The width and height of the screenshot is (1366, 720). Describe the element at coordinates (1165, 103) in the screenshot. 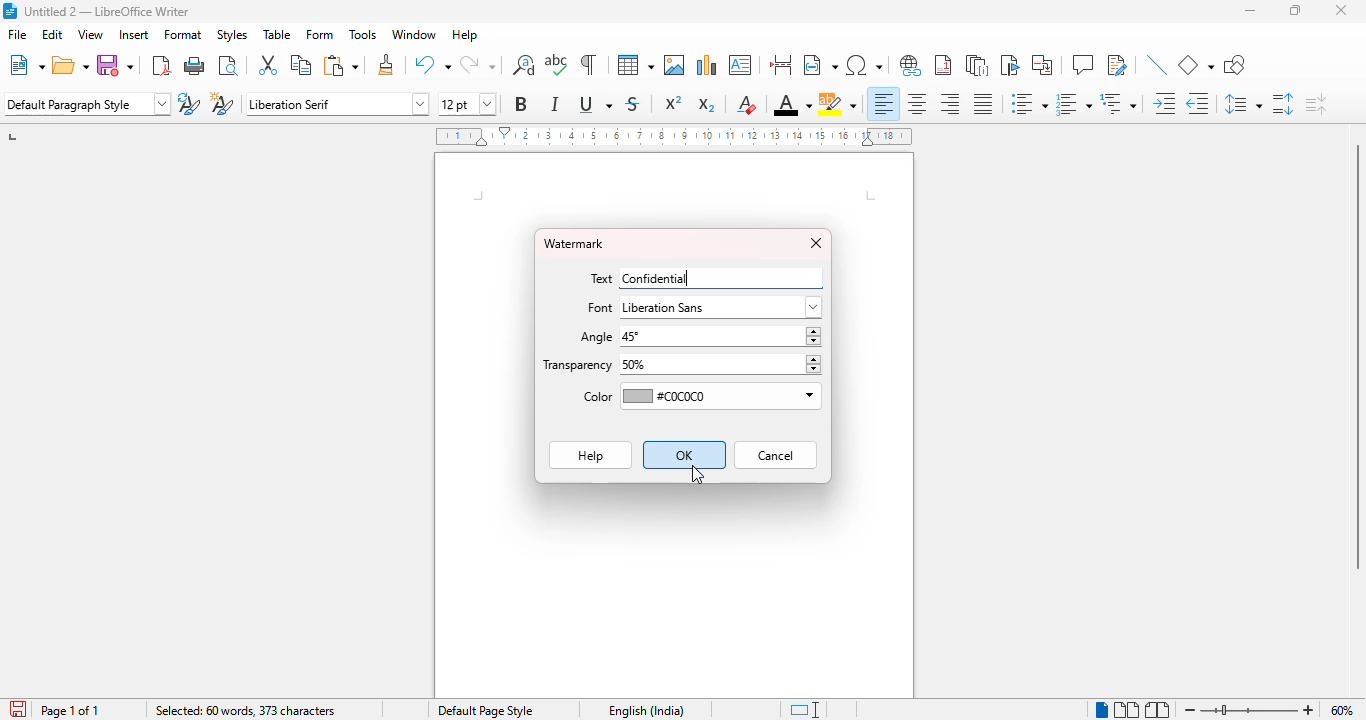

I see `increase indent` at that location.